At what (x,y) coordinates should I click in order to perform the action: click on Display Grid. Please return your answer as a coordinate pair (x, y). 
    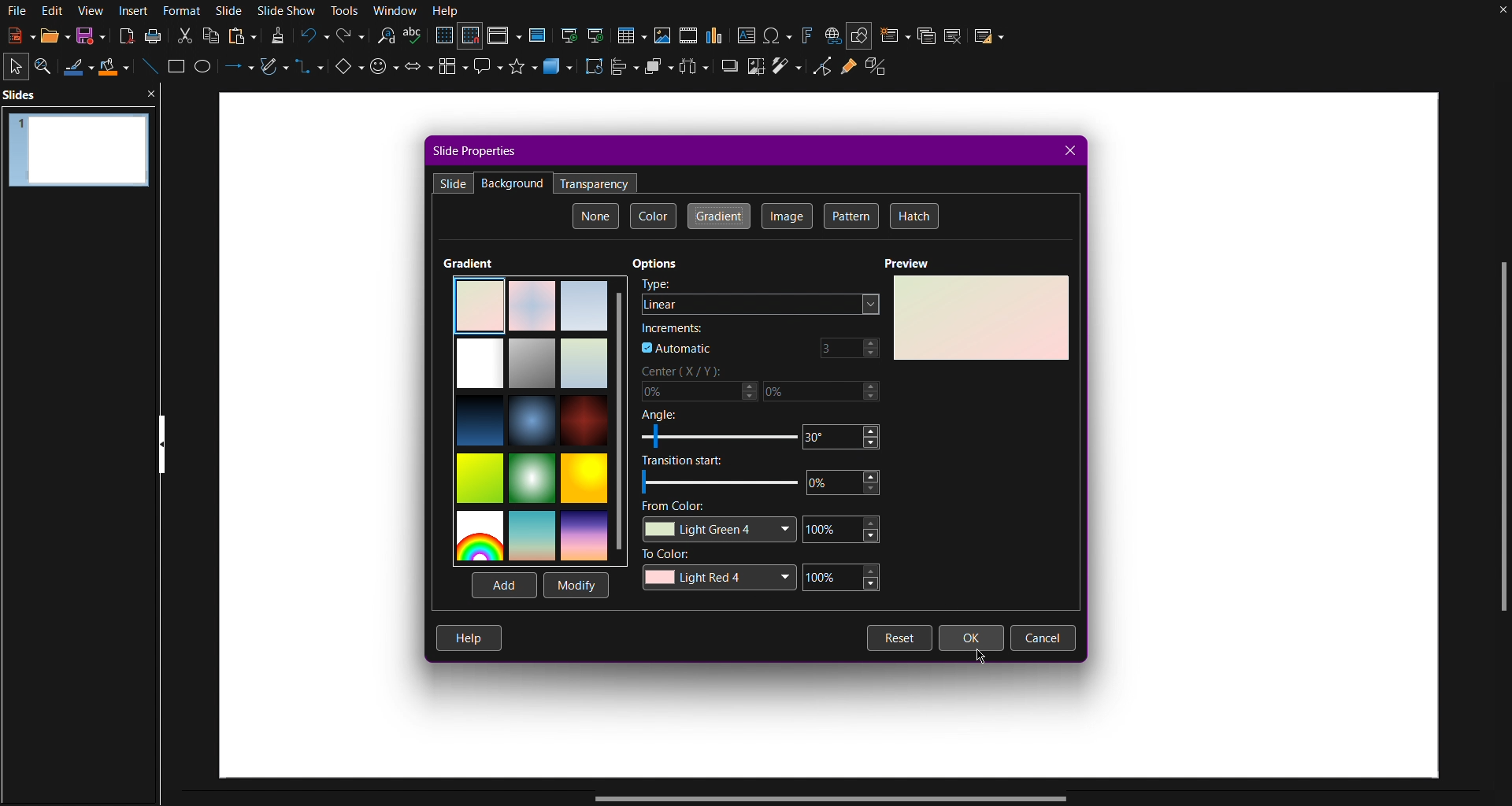
    Looking at the image, I should click on (443, 36).